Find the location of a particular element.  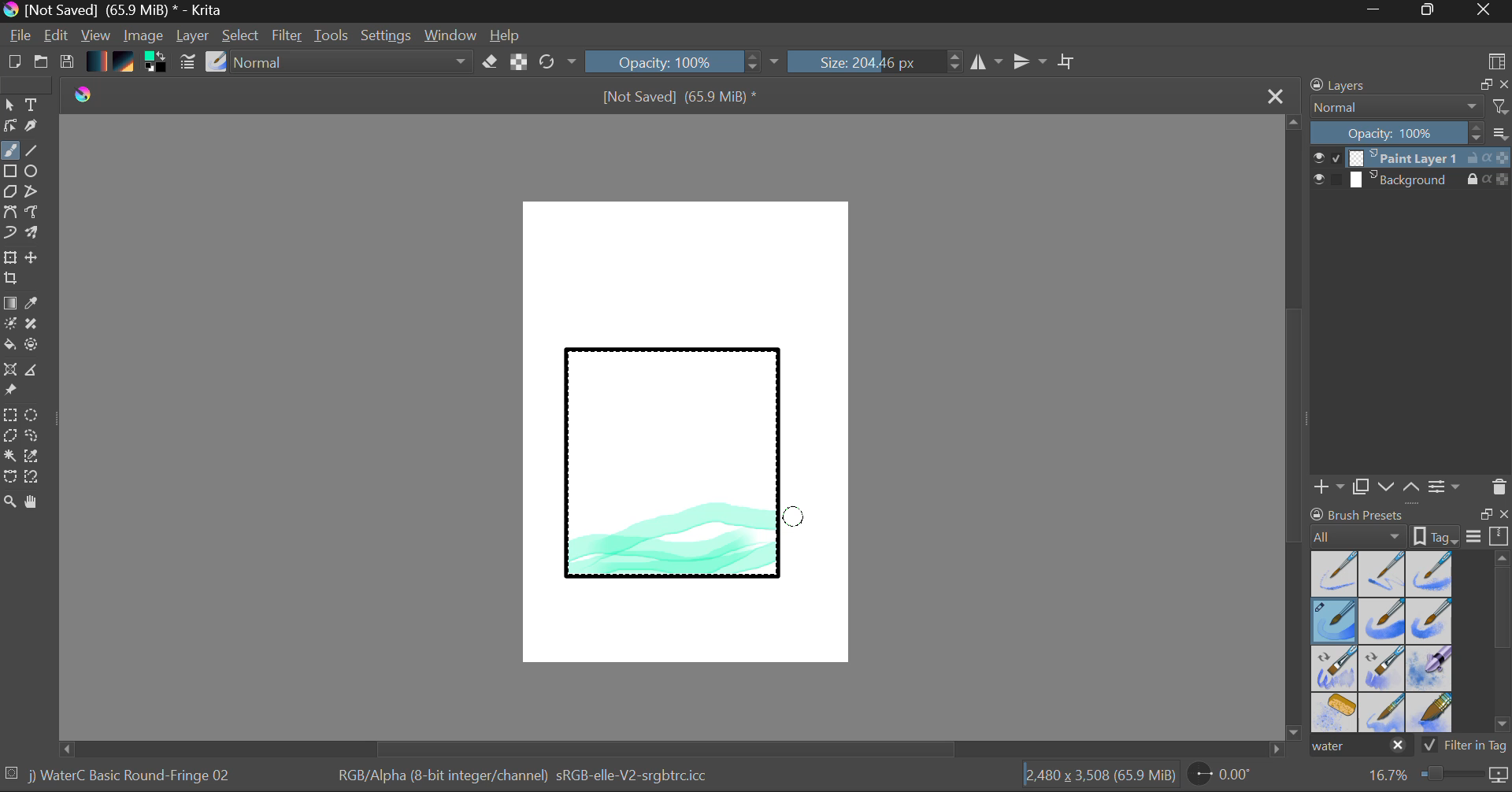

Color Information is located at coordinates (521, 777).